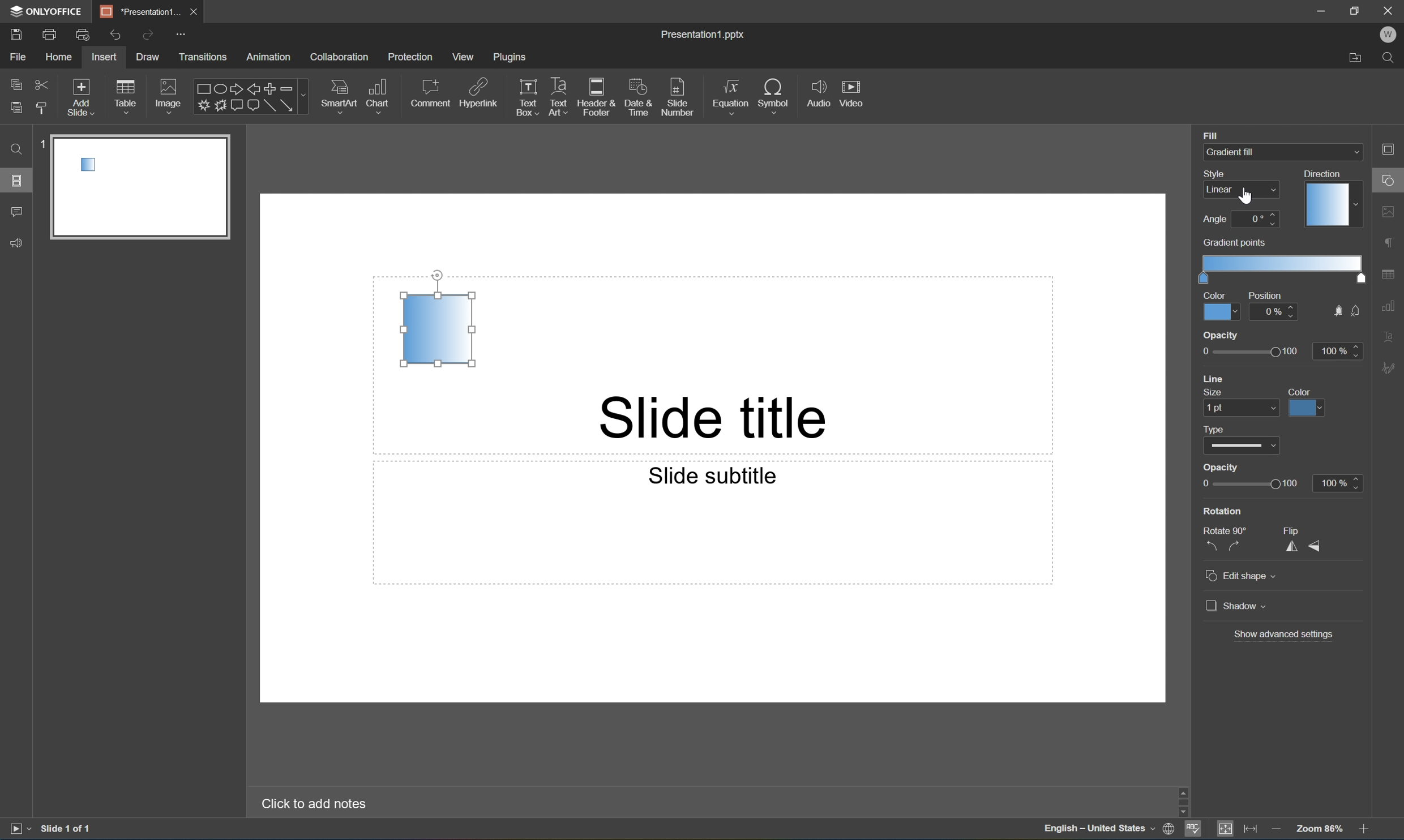 This screenshot has width=1404, height=840. I want to click on Type, so click(1241, 448).